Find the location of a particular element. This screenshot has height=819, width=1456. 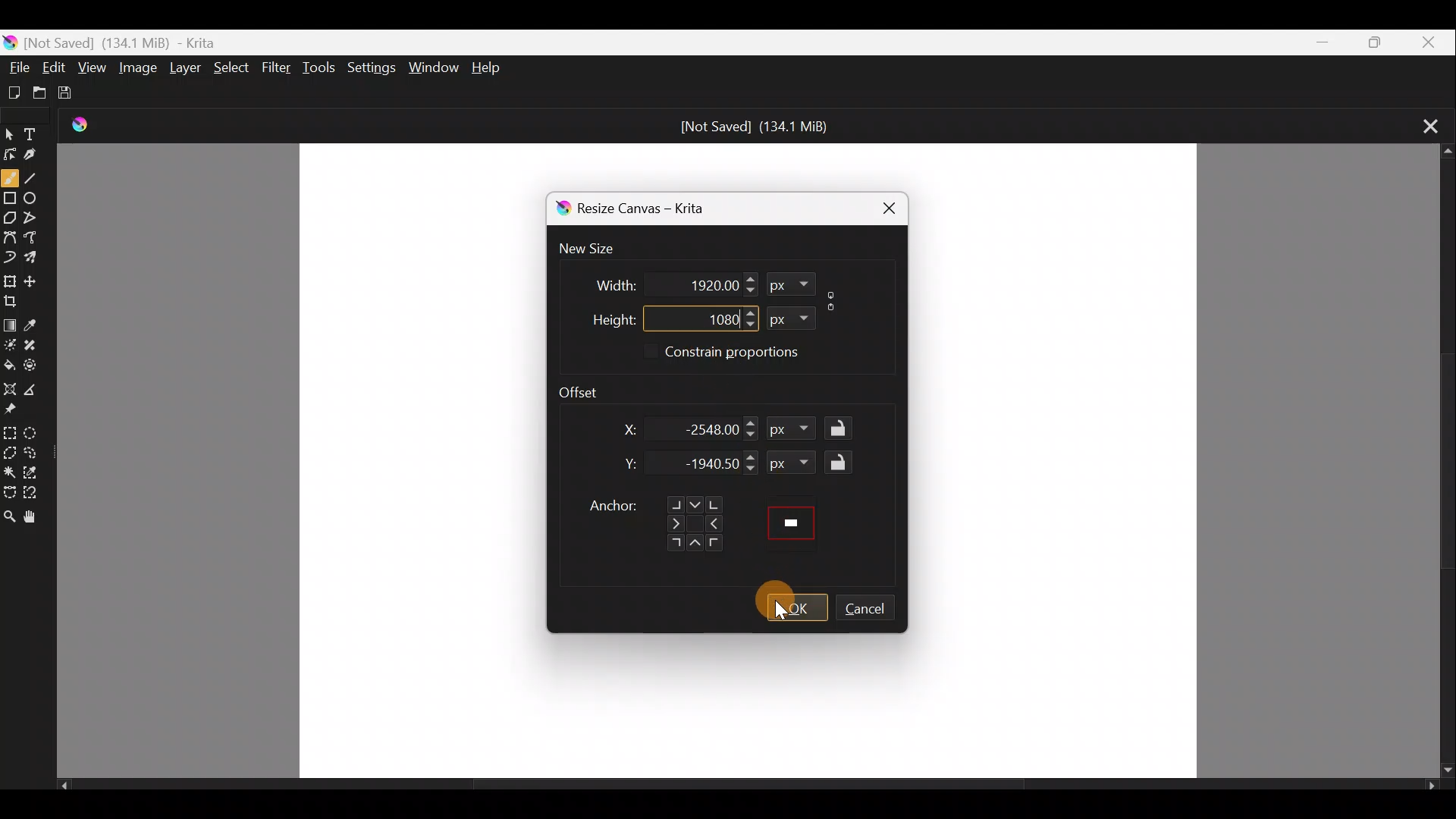

Lock/Unlock is located at coordinates (843, 462).